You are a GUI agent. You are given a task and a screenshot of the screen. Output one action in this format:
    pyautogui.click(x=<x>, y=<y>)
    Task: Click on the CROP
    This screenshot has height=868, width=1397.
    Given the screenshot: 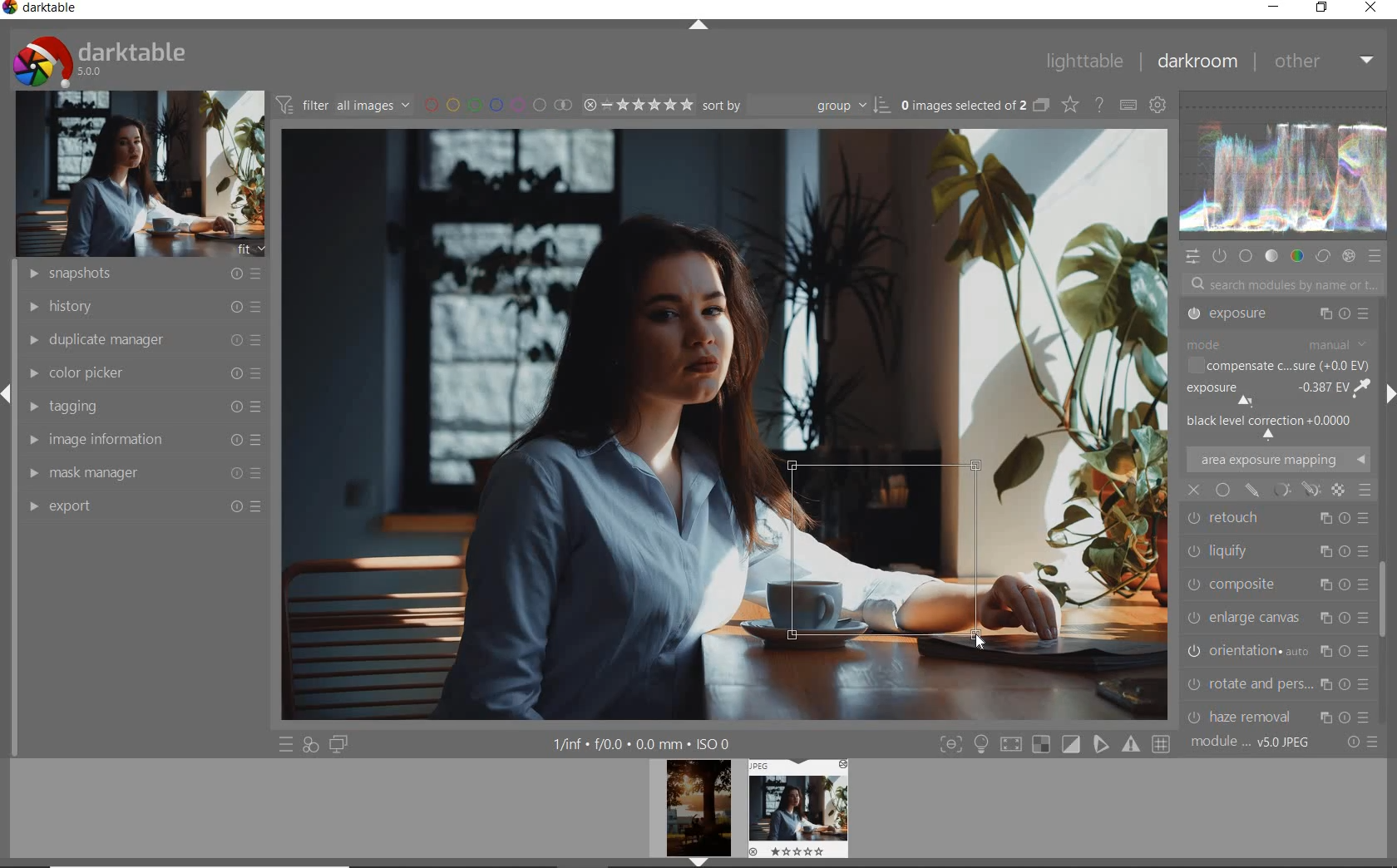 What is the action you would take?
    pyautogui.click(x=1277, y=317)
    